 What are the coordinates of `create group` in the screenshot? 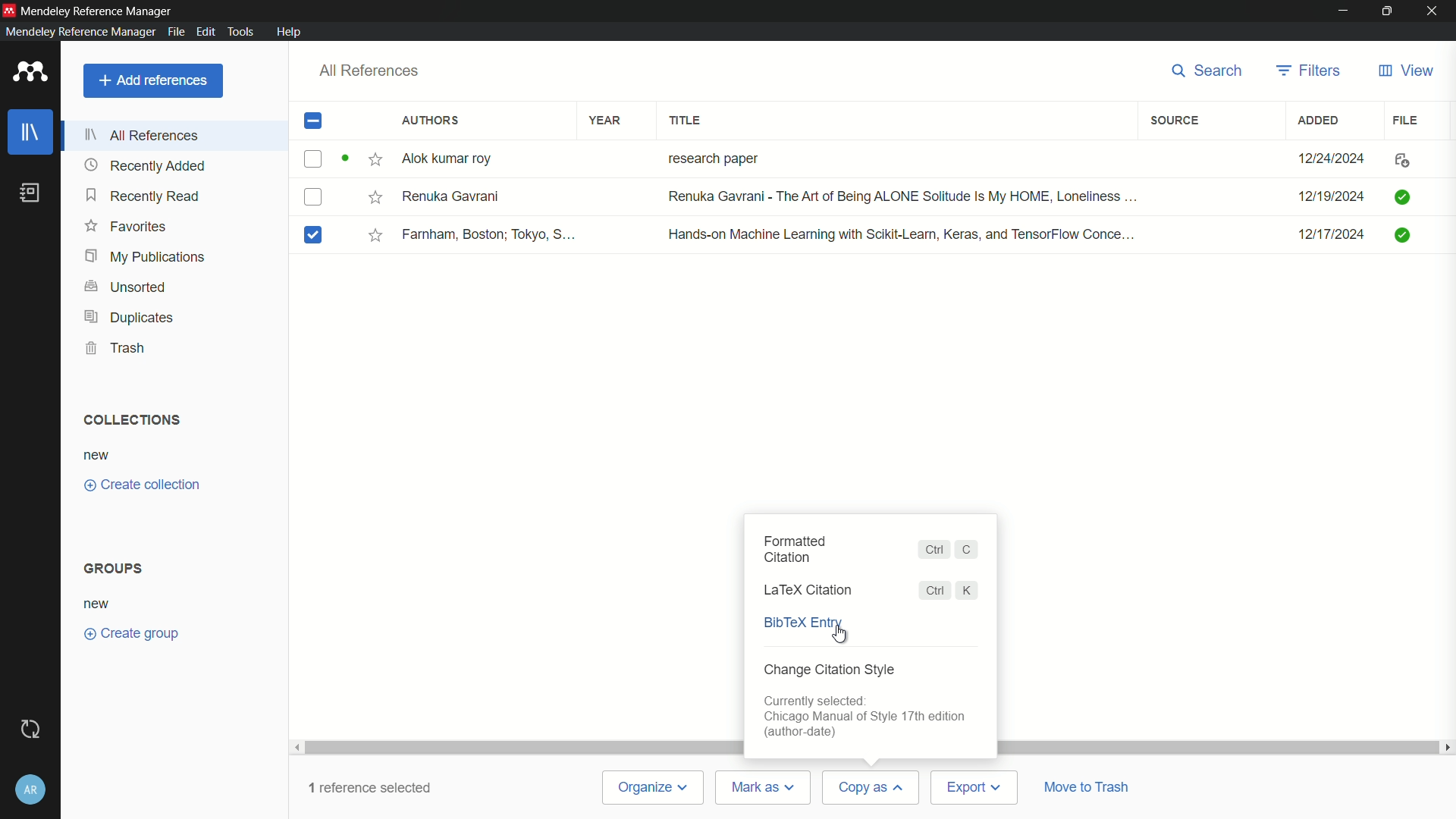 It's located at (132, 633).